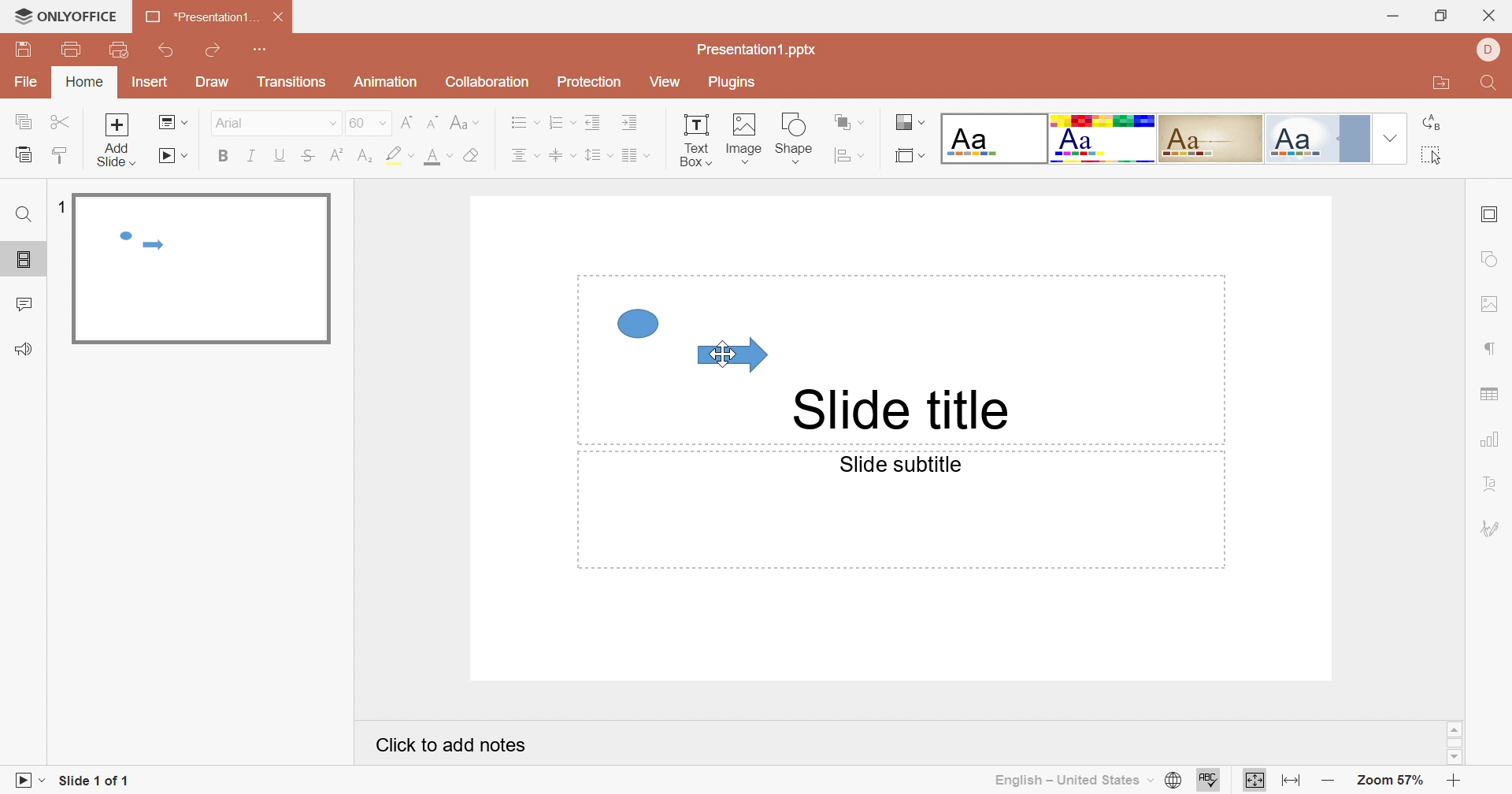 This screenshot has height=794, width=1512. Describe the element at coordinates (1330, 781) in the screenshot. I see `Zoom out` at that location.